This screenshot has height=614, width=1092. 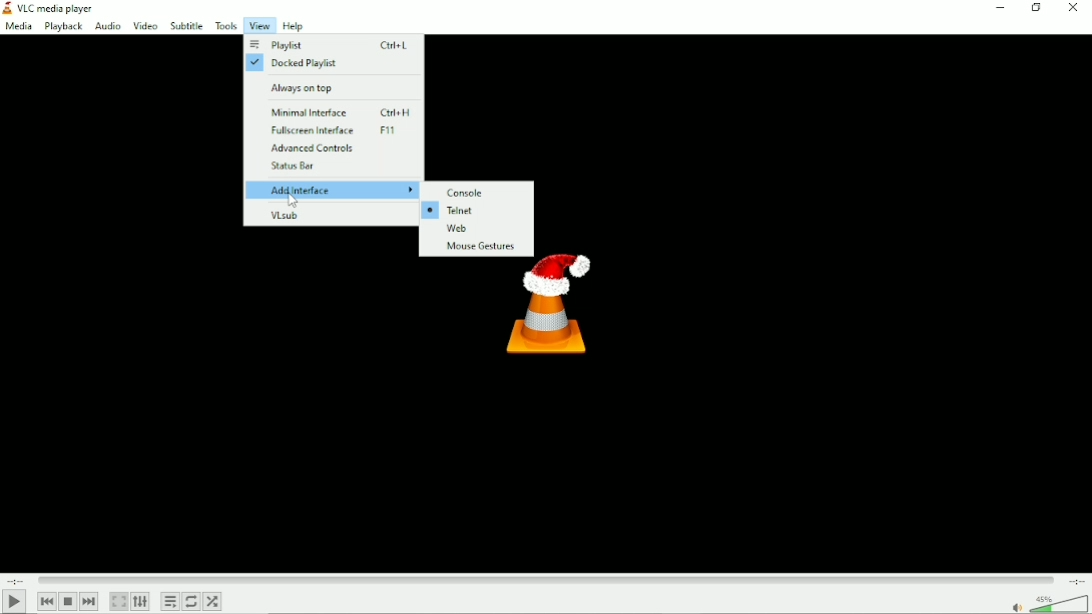 I want to click on Toggle video in fullscreen, so click(x=118, y=602).